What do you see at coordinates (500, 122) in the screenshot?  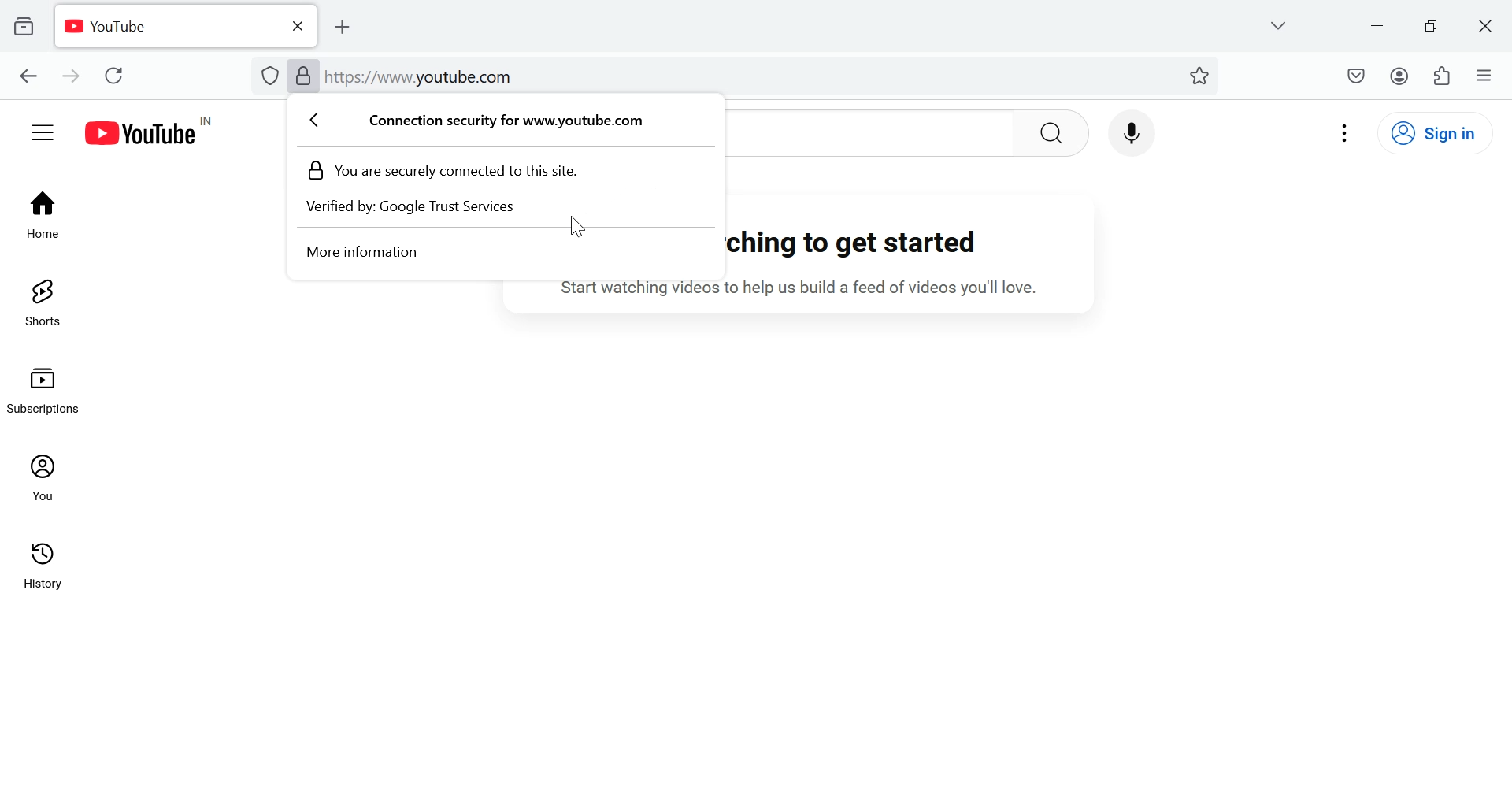 I see `Site information for www.youtube.com` at bounding box center [500, 122].